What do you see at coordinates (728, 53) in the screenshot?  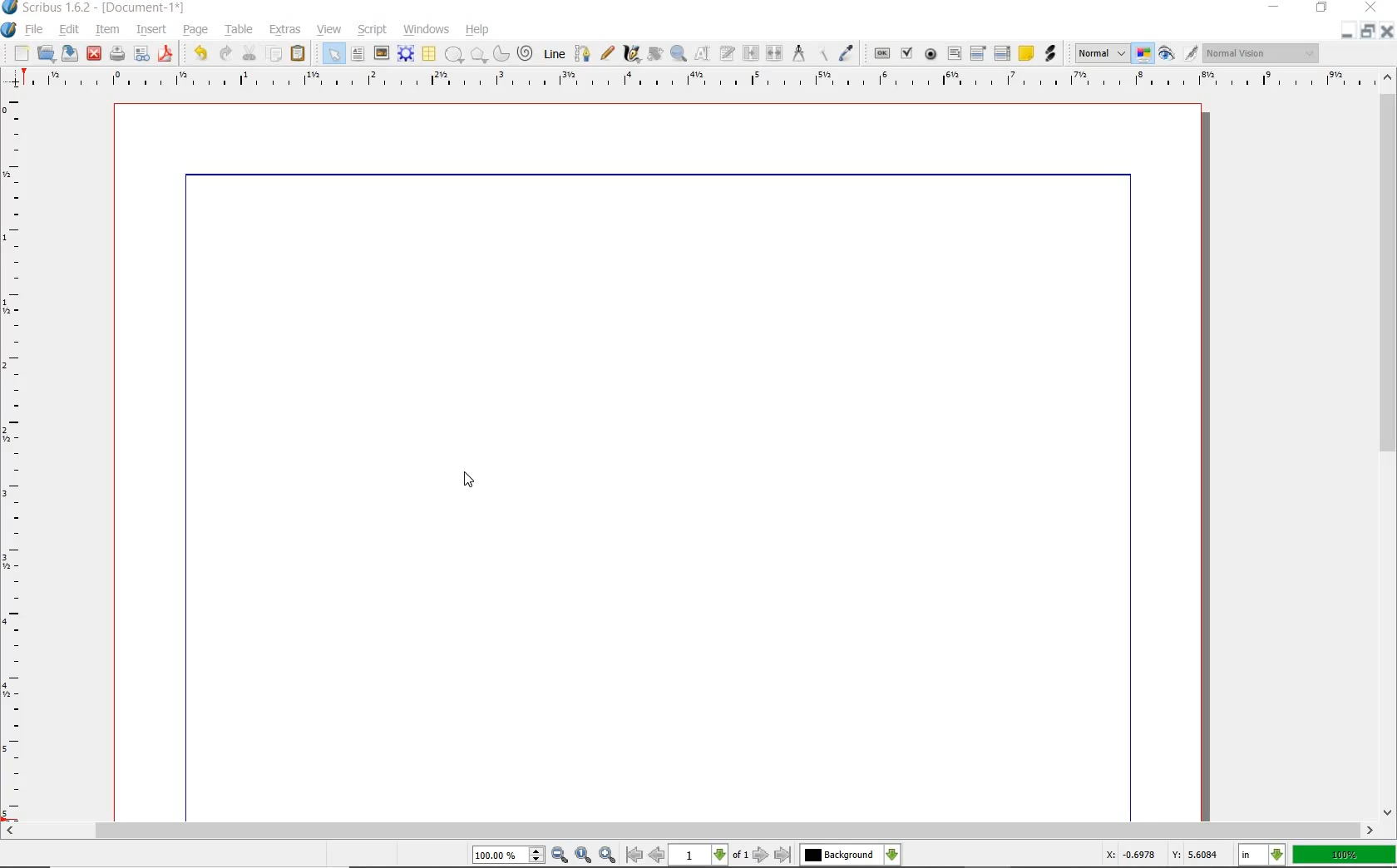 I see `EDIT TEXT WITH STORY EDITOR` at bounding box center [728, 53].